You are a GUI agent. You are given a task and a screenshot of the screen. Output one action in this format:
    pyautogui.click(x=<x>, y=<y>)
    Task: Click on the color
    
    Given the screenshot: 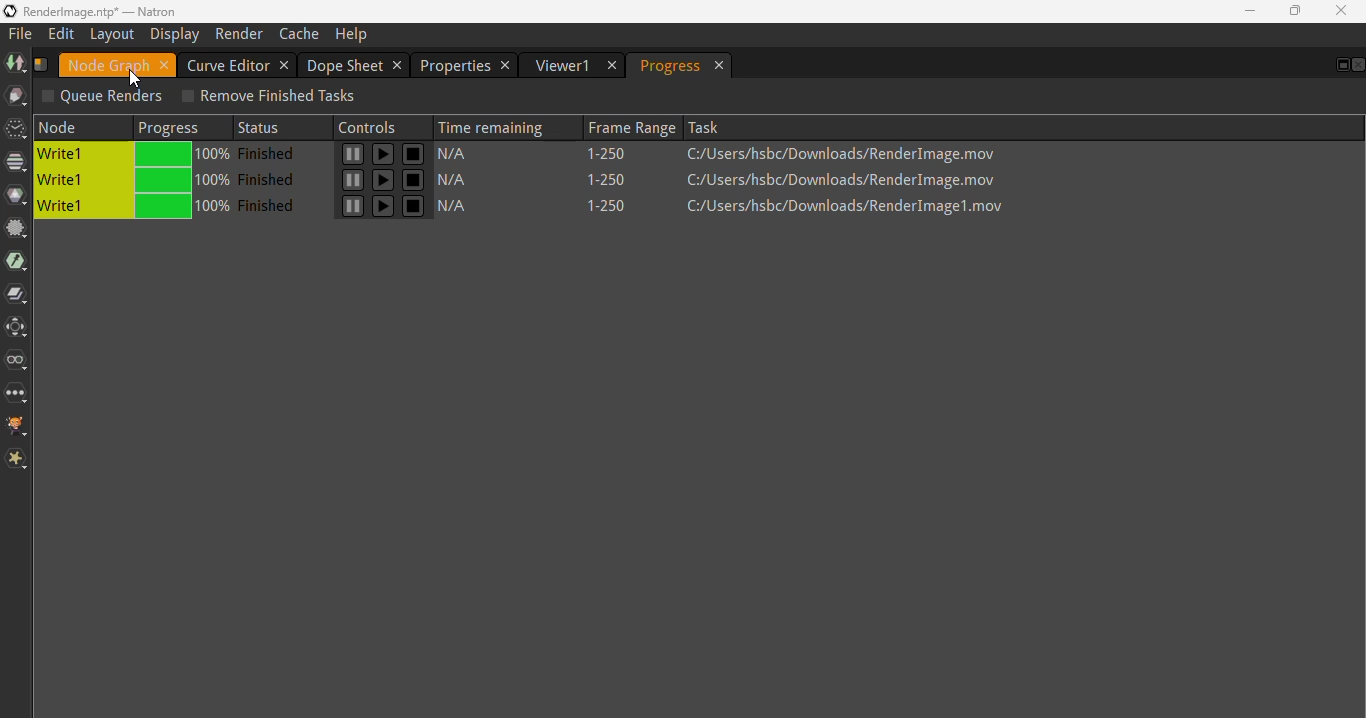 What is the action you would take?
    pyautogui.click(x=16, y=196)
    